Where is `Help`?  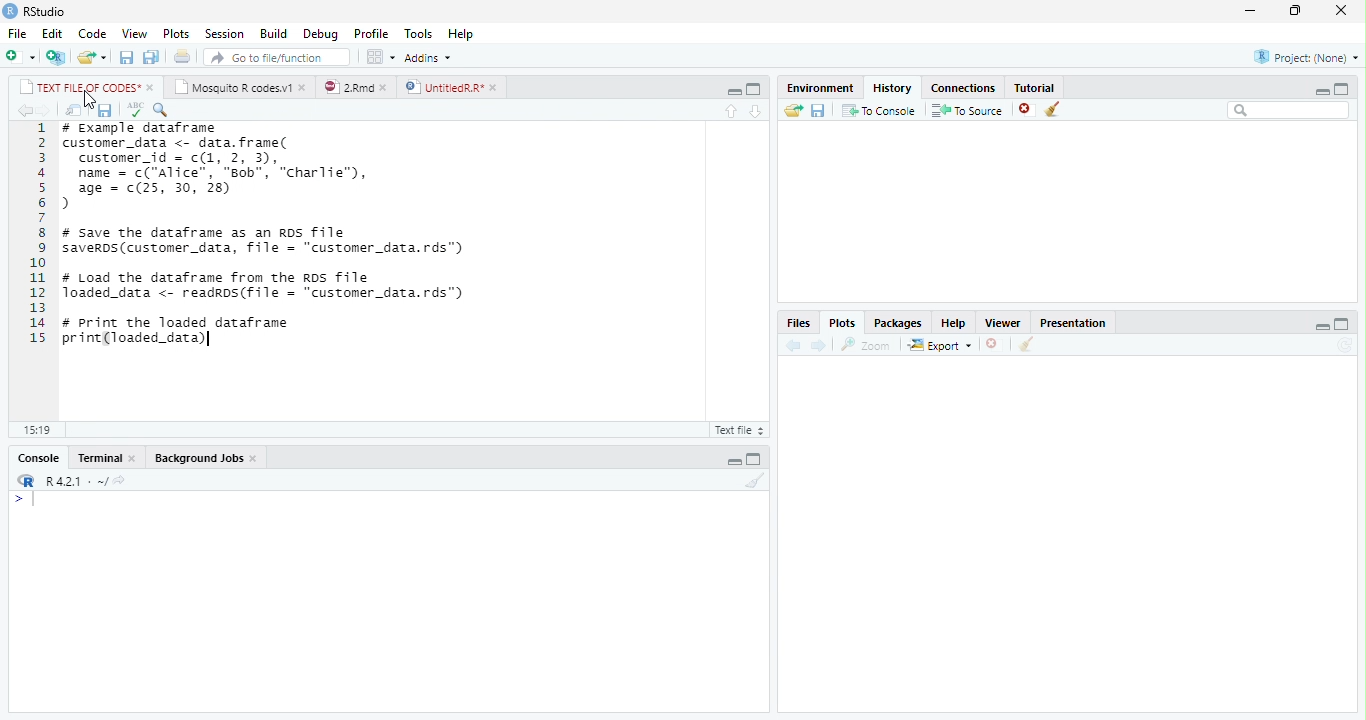 Help is located at coordinates (462, 34).